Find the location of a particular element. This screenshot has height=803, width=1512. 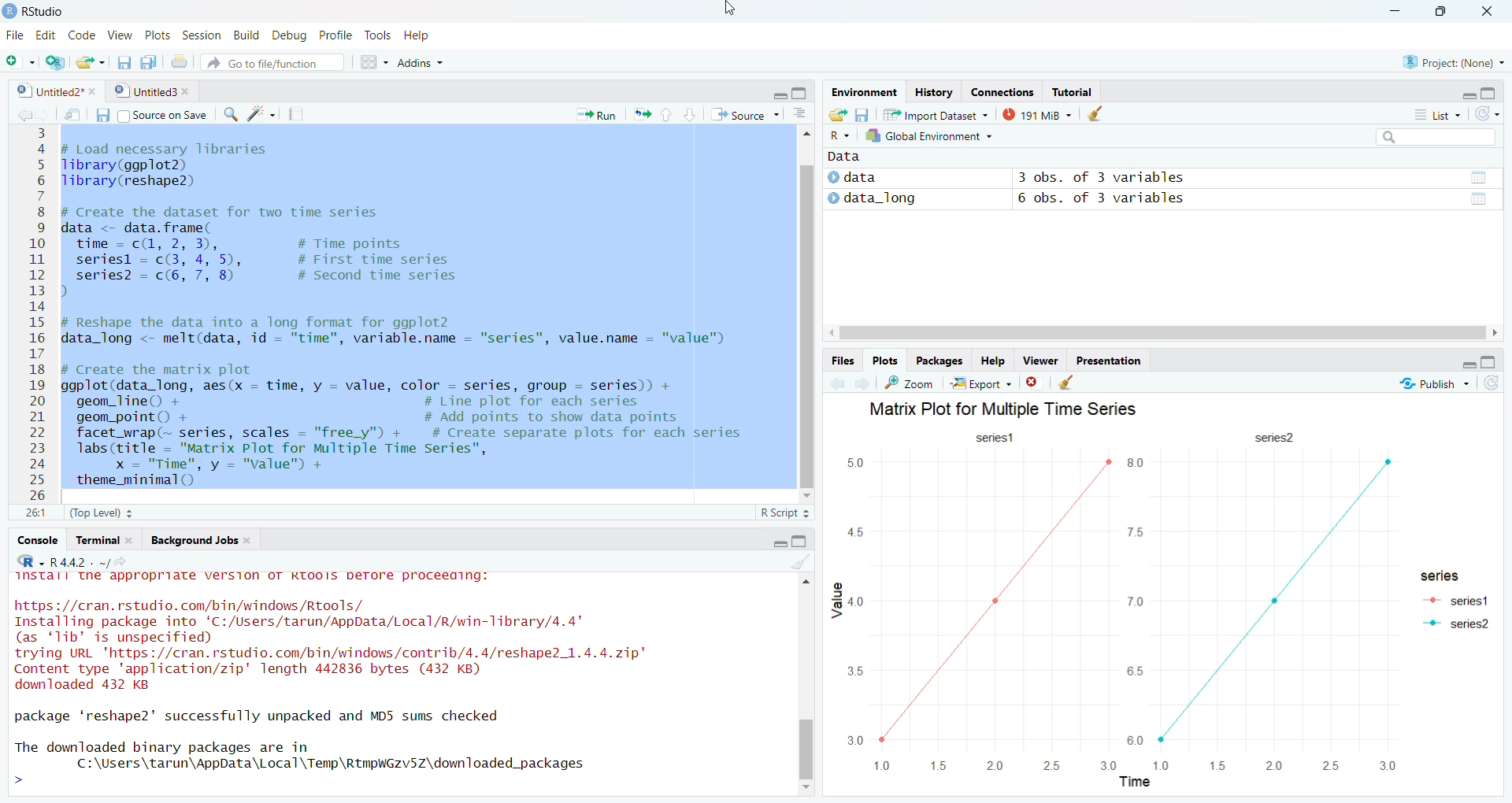

Tools is located at coordinates (378, 35).